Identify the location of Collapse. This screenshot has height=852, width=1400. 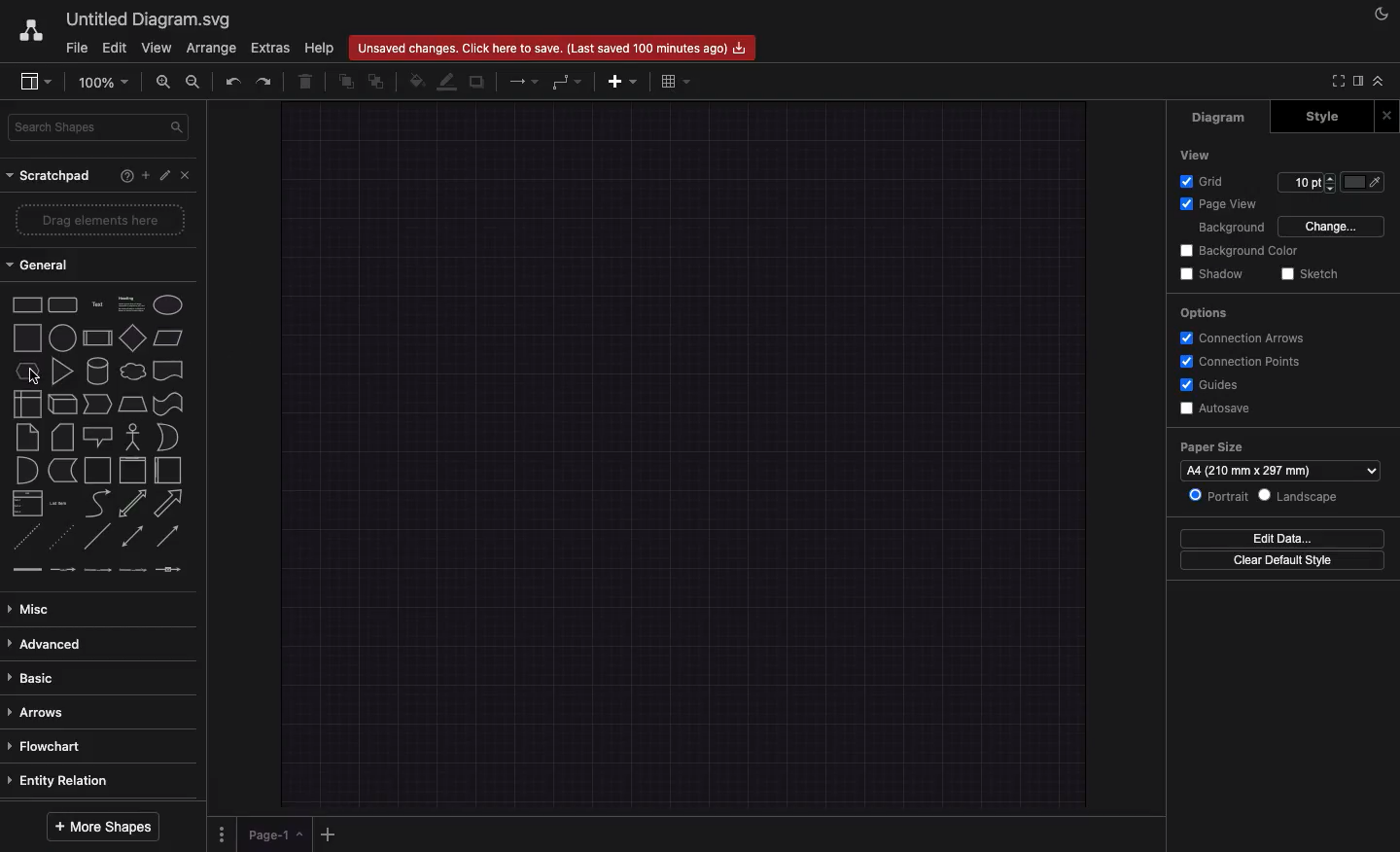
(1379, 82).